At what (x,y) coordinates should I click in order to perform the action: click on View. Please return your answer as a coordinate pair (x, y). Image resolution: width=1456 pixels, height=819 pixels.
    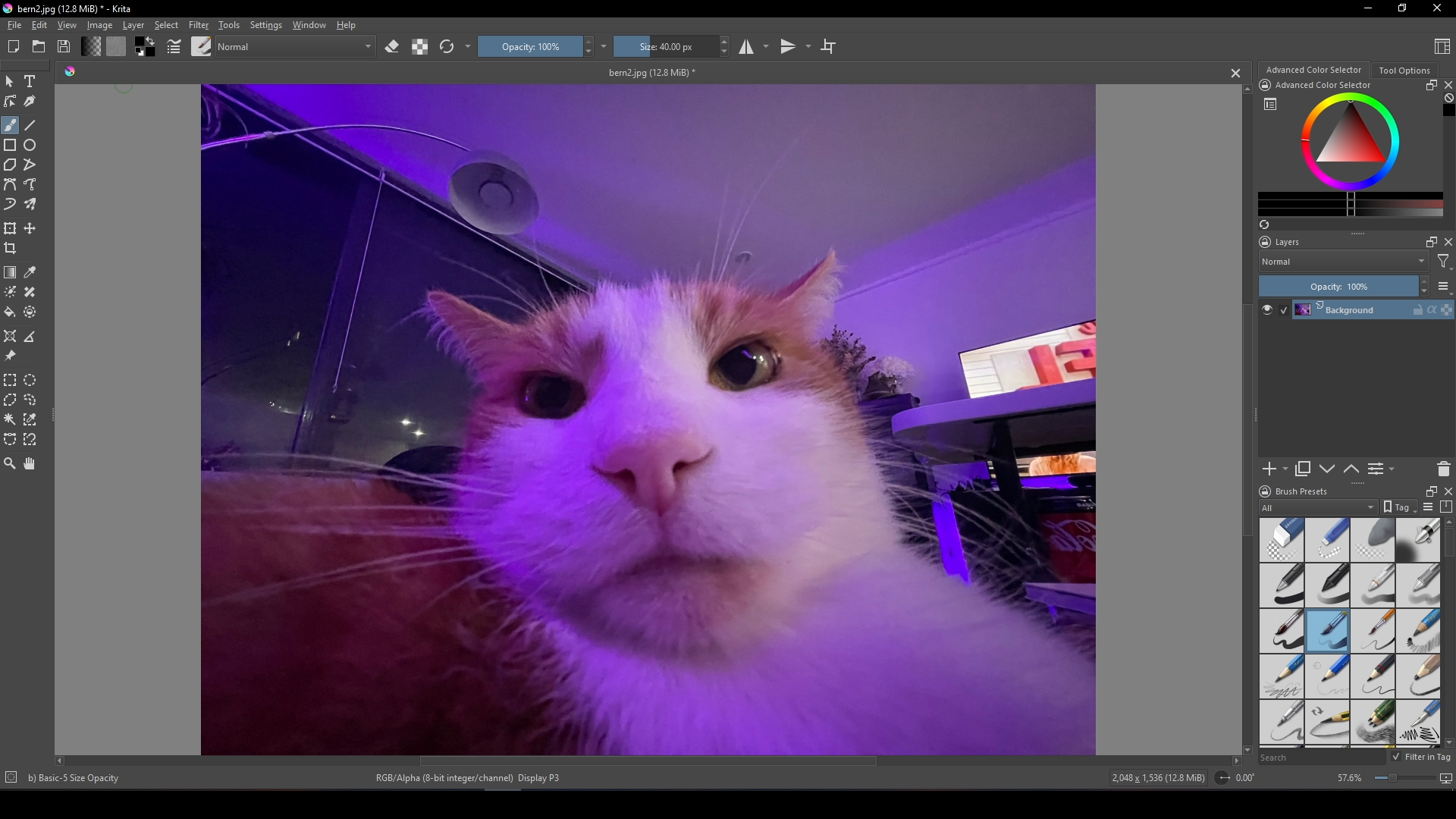
    Looking at the image, I should click on (67, 25).